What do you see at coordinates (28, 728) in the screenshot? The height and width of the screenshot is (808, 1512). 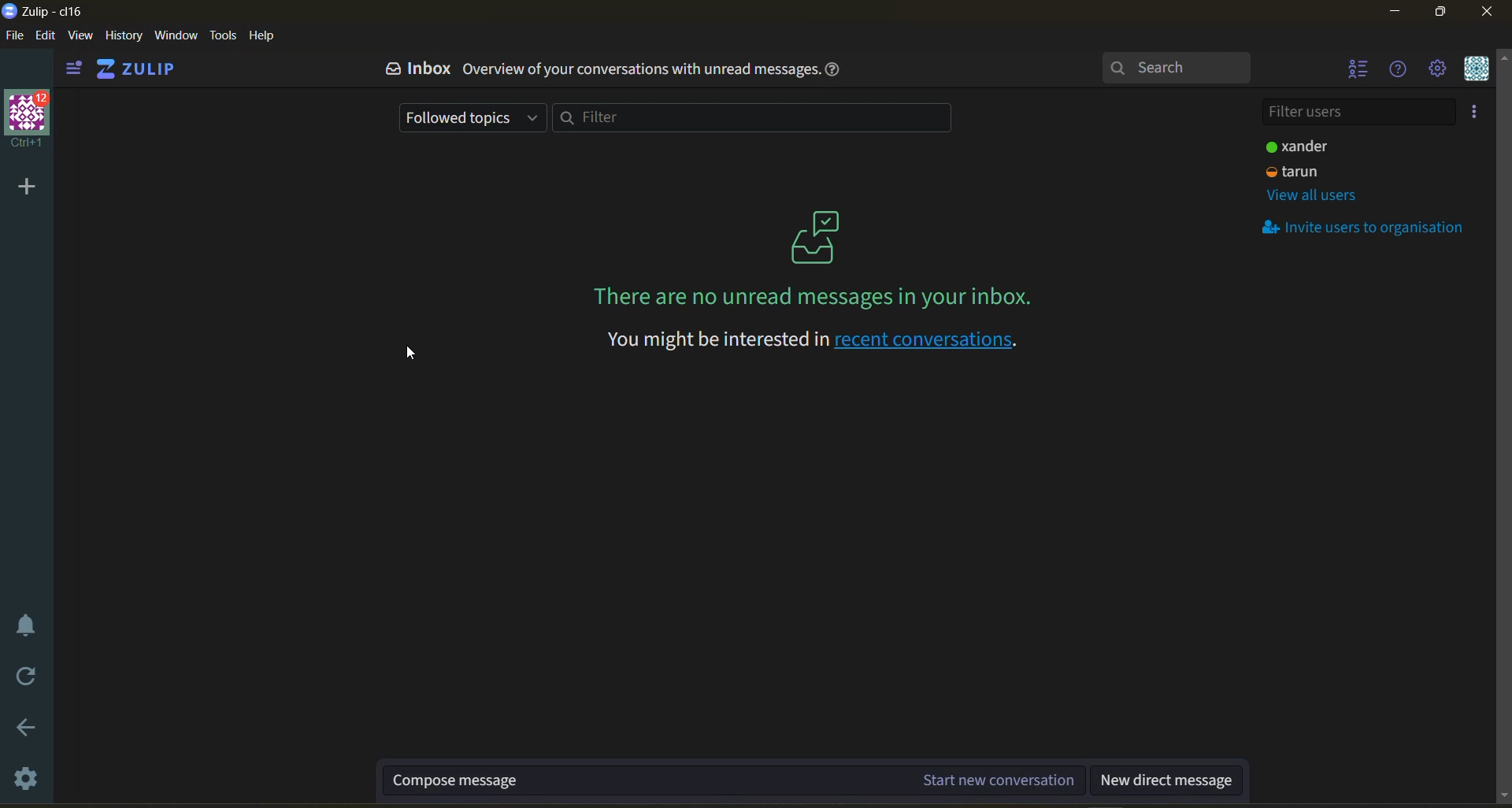 I see `go back` at bounding box center [28, 728].